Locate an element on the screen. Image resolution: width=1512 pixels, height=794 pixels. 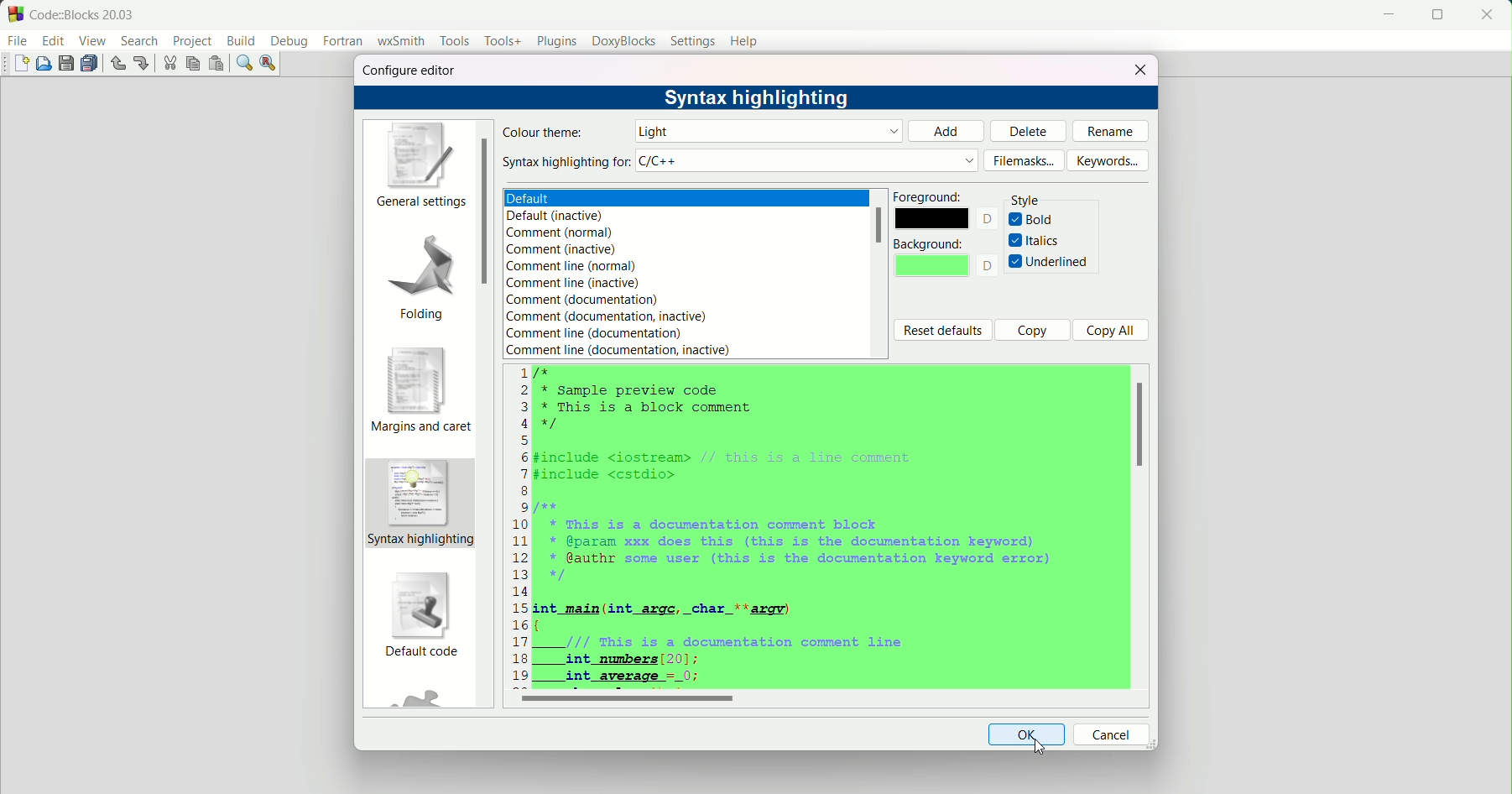
light is located at coordinates (771, 171).